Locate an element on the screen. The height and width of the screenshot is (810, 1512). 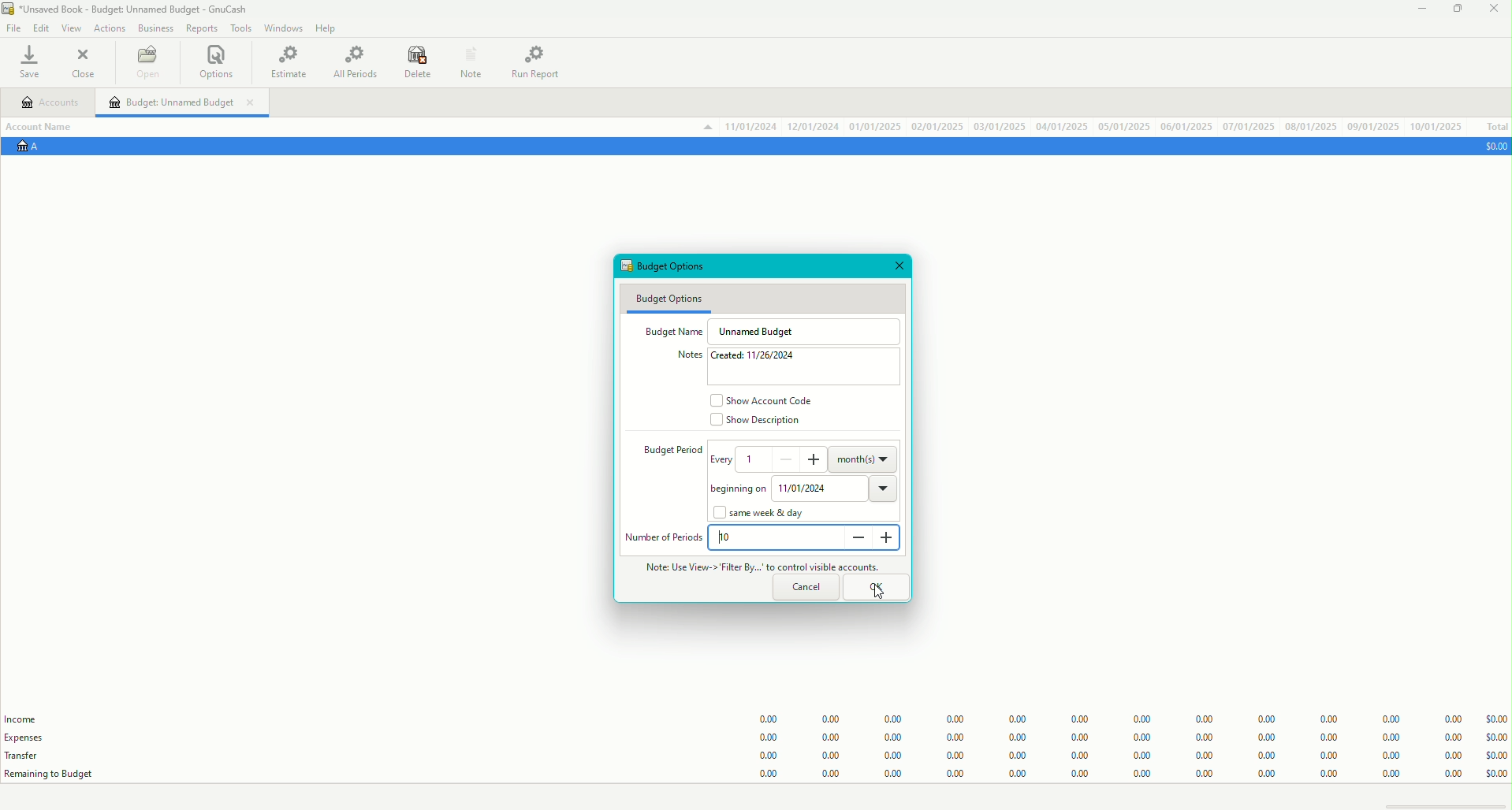
Delete is located at coordinates (418, 64).